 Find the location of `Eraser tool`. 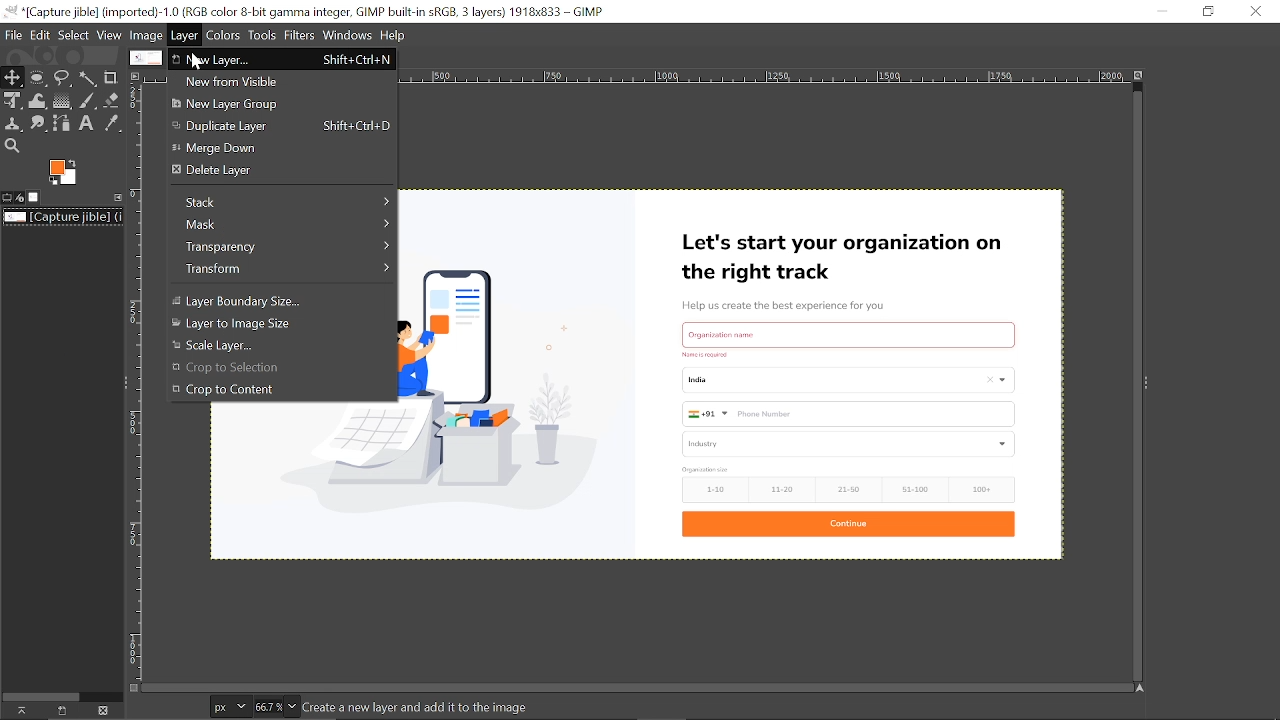

Eraser tool is located at coordinates (112, 99).